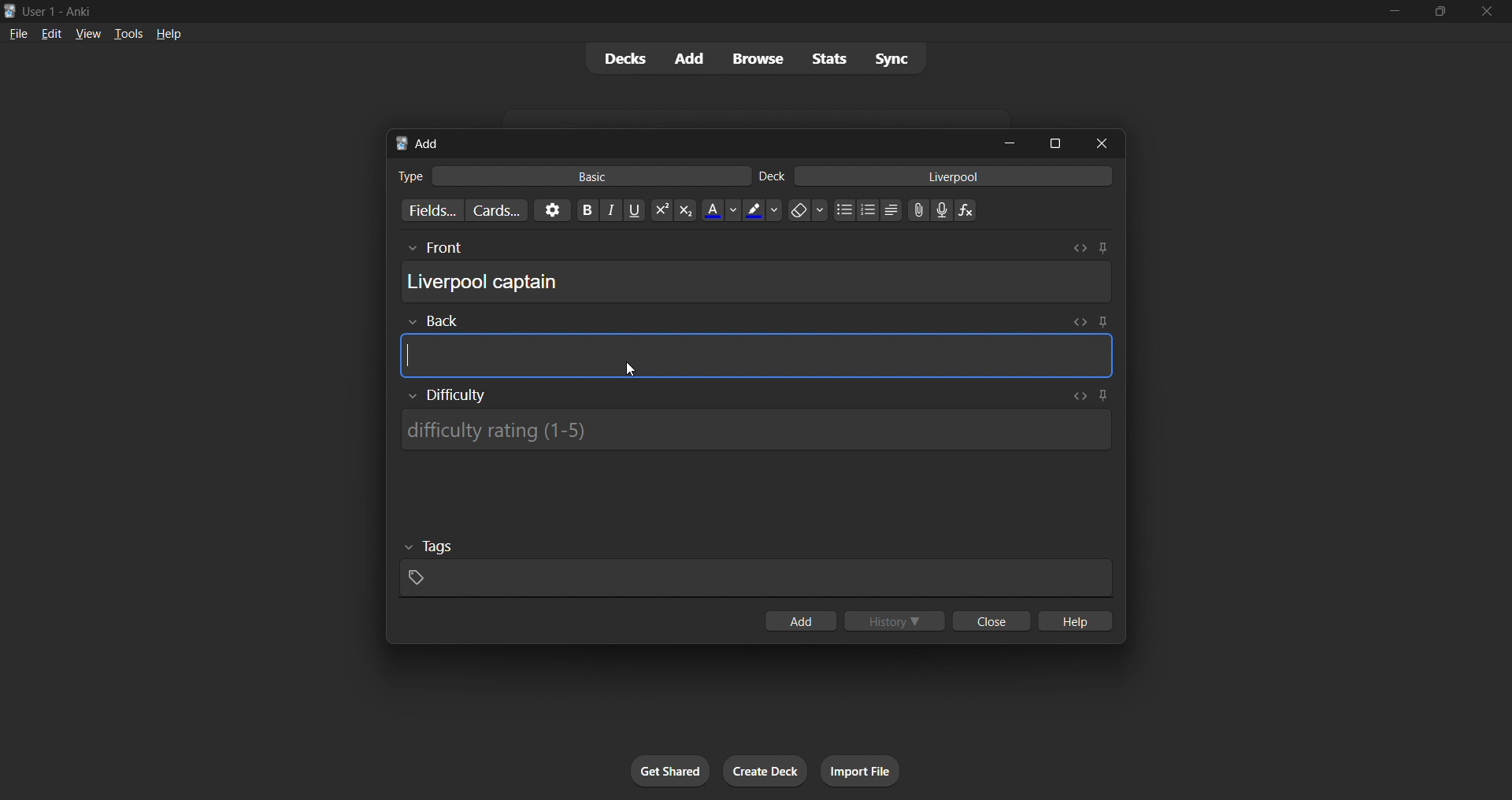 Image resolution: width=1512 pixels, height=800 pixels. Describe the element at coordinates (552, 210) in the screenshot. I see `options` at that location.